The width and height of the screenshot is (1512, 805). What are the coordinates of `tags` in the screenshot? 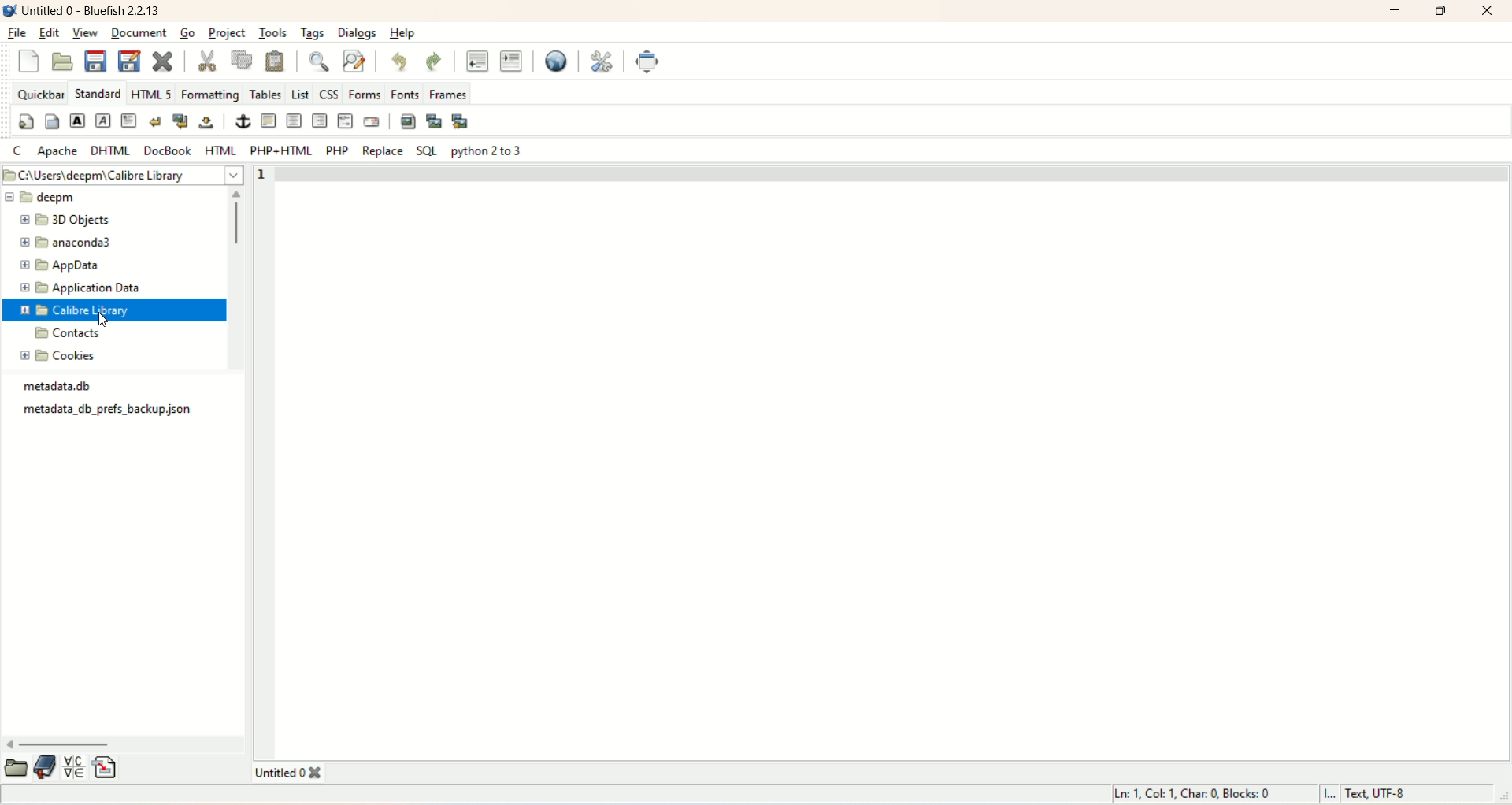 It's located at (309, 35).